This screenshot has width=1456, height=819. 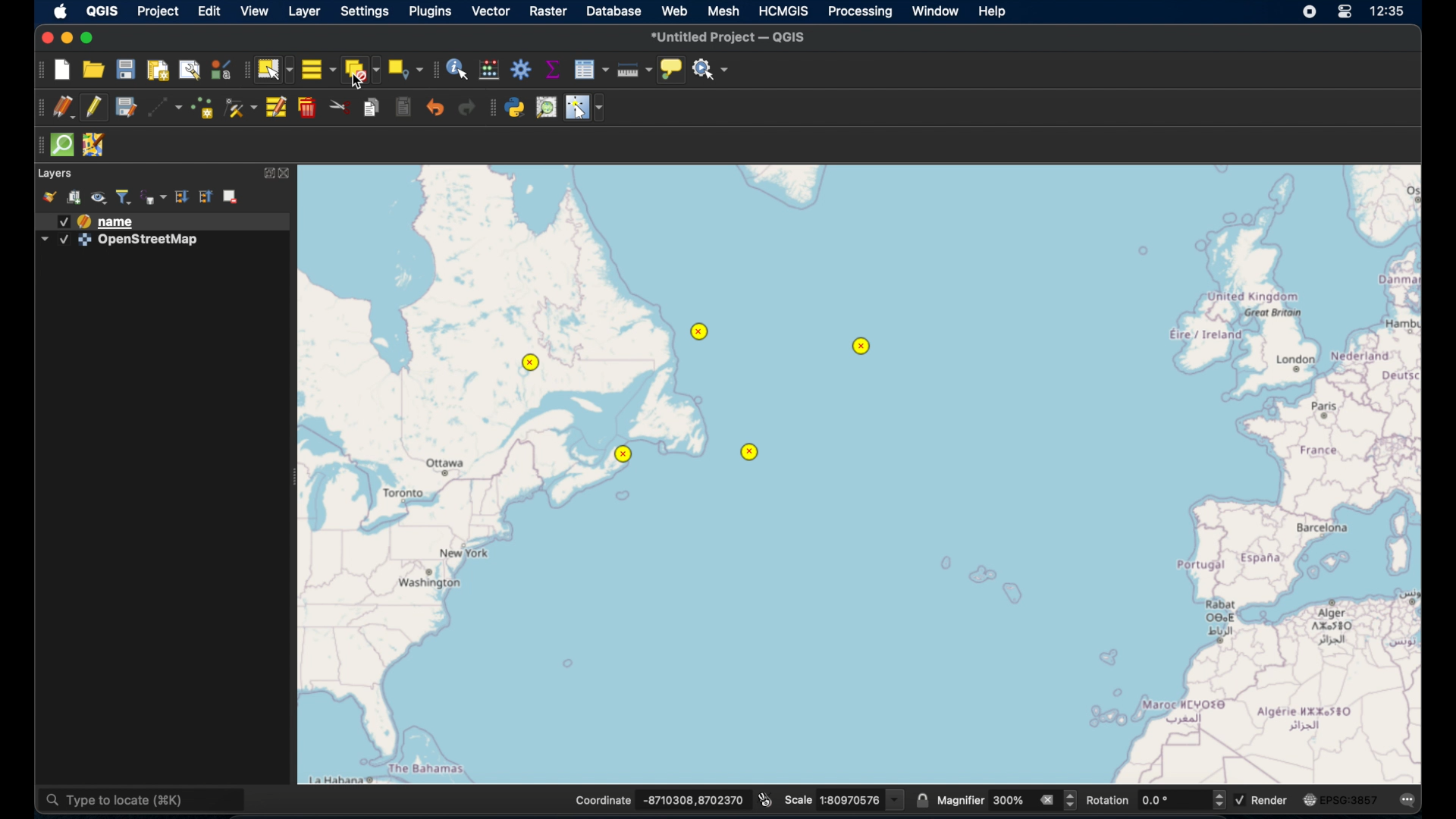 I want to click on python console, so click(x=516, y=108).